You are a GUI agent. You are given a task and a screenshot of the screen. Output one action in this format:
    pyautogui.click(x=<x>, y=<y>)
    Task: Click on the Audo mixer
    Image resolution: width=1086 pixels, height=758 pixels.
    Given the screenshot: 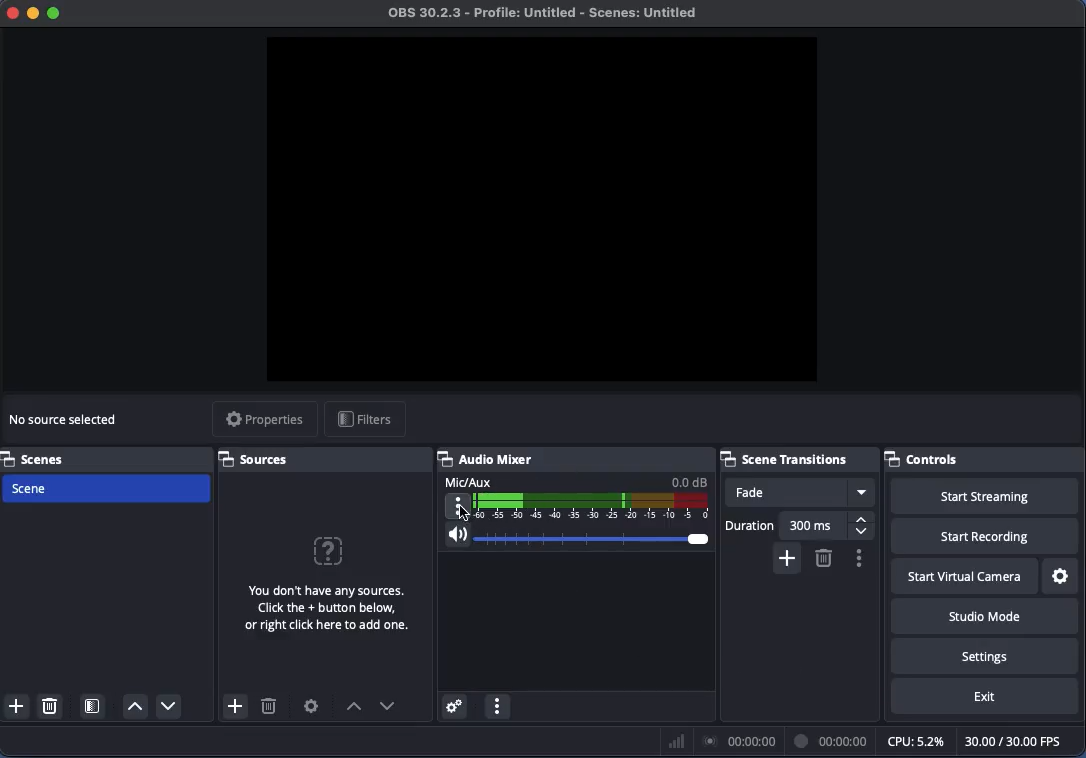 What is the action you would take?
    pyautogui.click(x=577, y=459)
    